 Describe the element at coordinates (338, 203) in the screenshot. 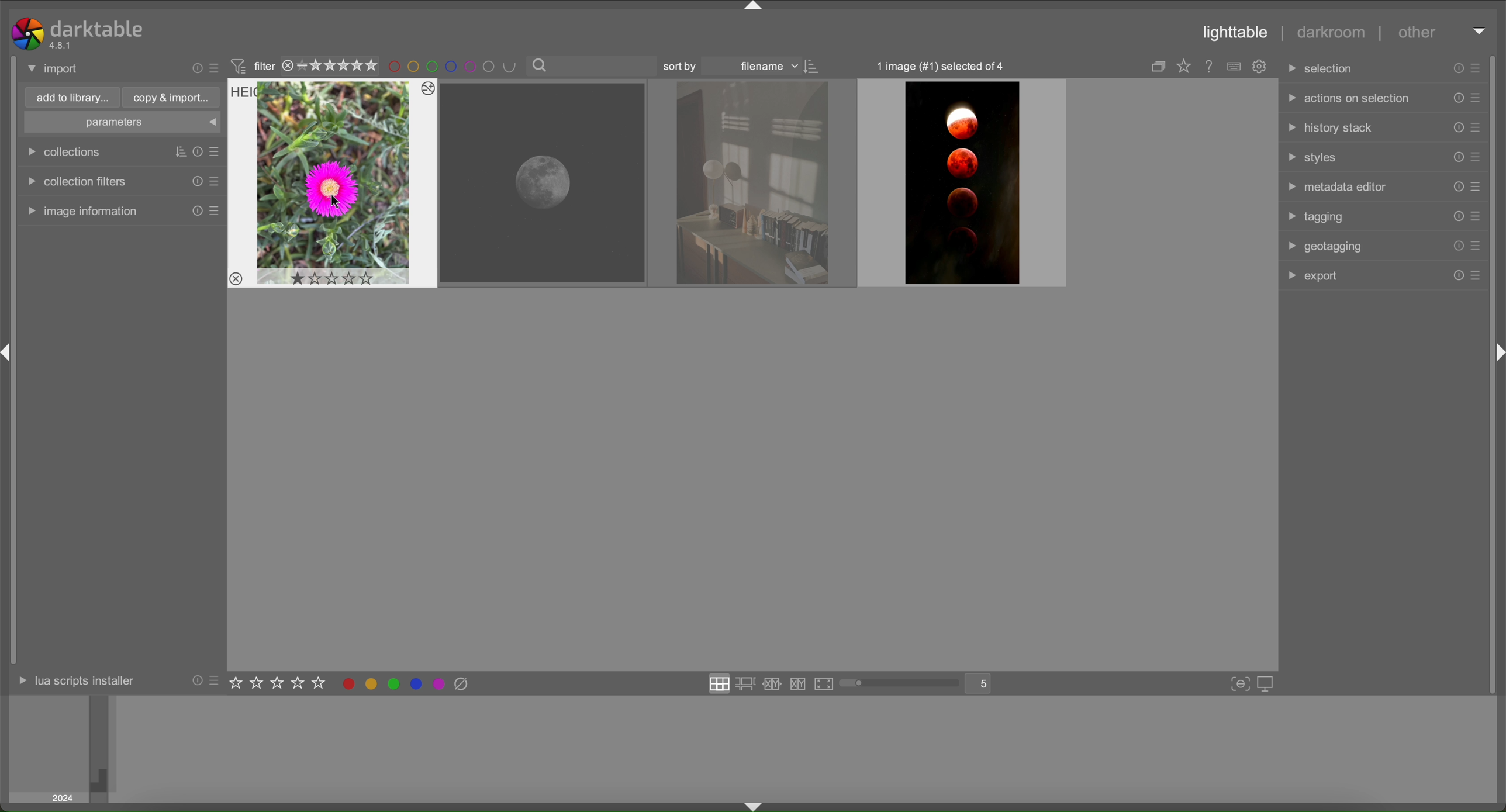

I see `cursor` at that location.